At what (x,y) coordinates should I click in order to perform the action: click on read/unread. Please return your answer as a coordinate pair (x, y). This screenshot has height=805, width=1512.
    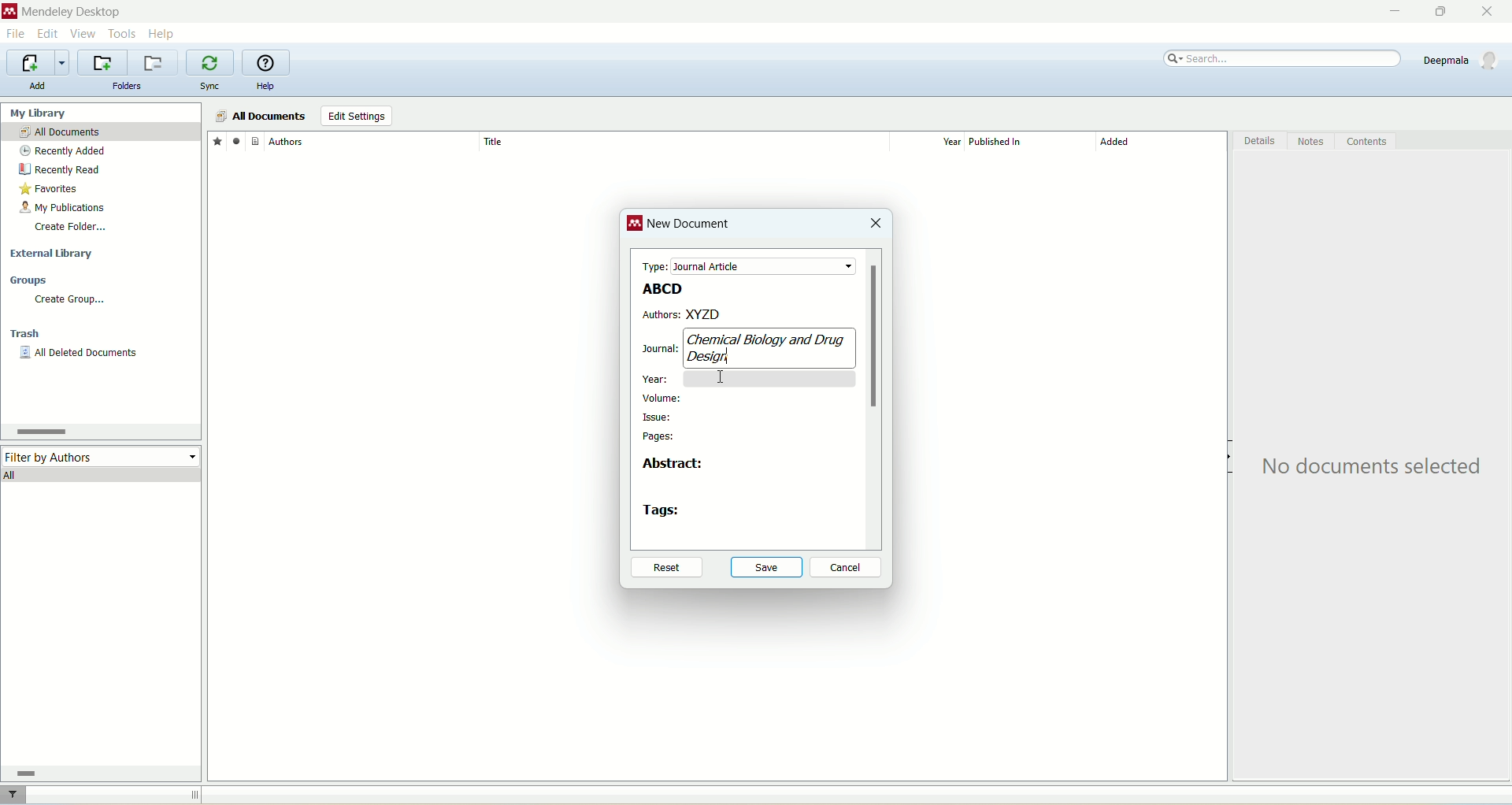
    Looking at the image, I should click on (234, 140).